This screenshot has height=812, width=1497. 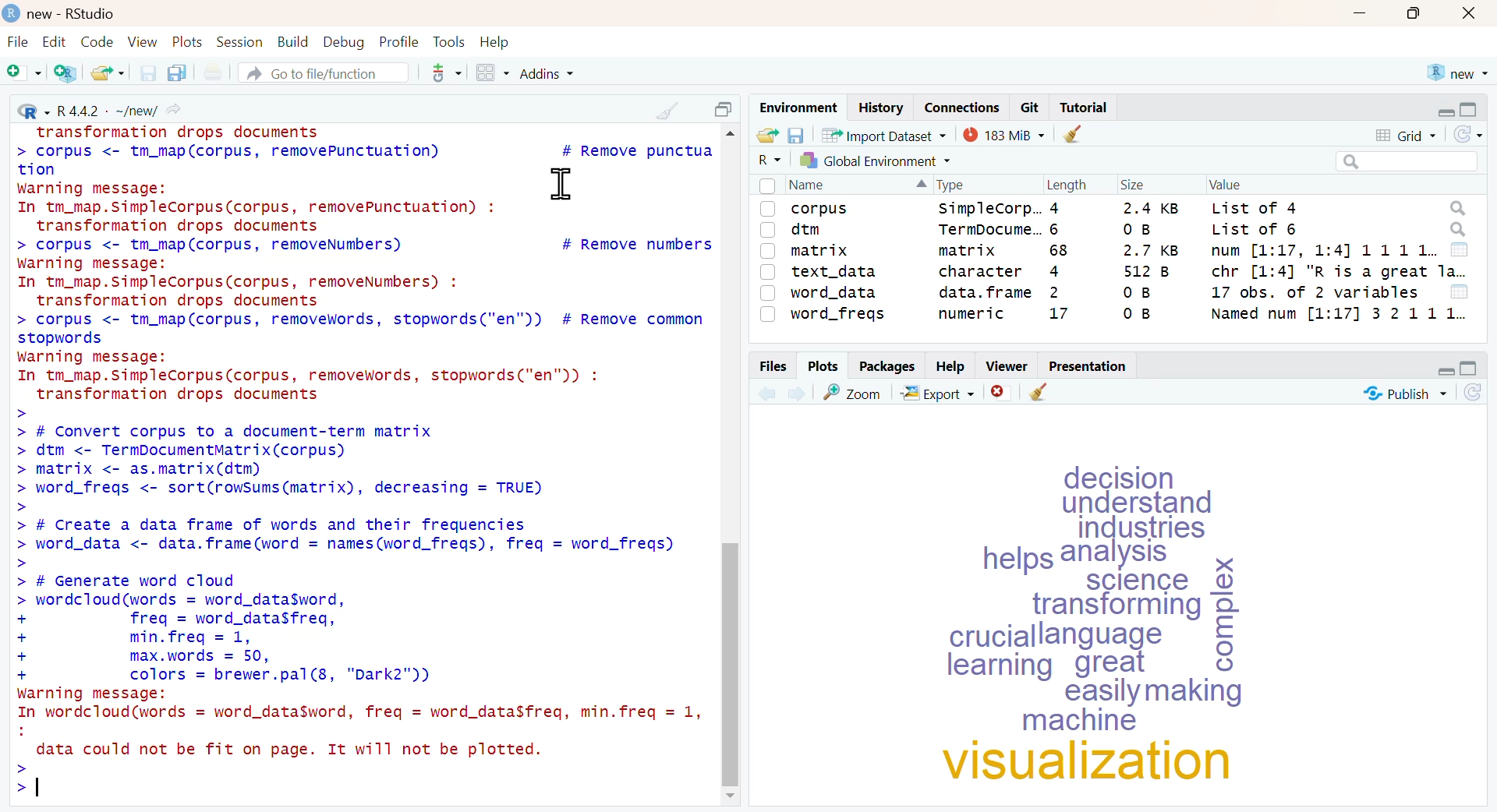 What do you see at coordinates (1254, 207) in the screenshot?
I see `List of 4` at bounding box center [1254, 207].